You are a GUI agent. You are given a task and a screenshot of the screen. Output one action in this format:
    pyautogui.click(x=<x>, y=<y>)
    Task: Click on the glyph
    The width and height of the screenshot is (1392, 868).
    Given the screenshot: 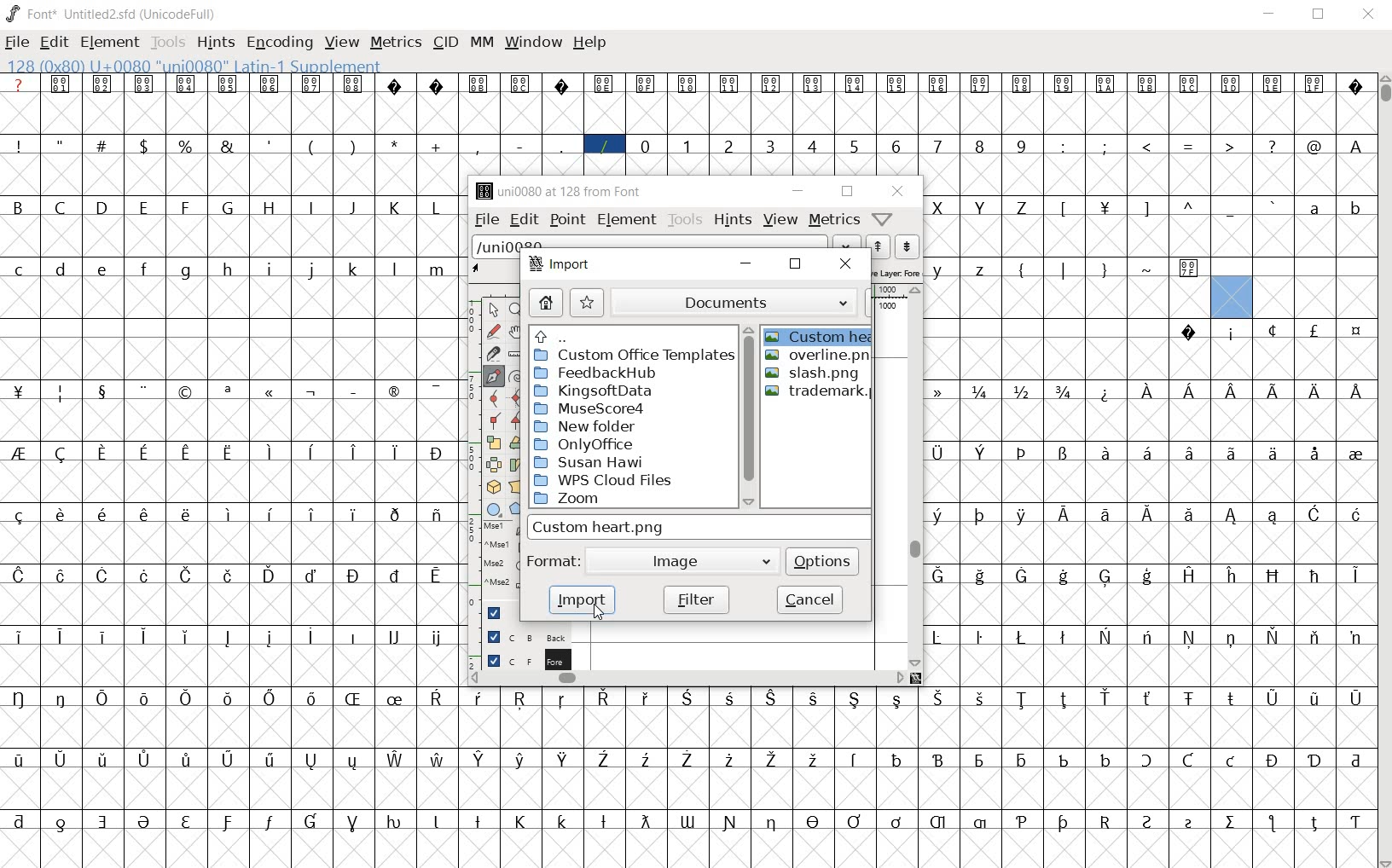 What is the action you would take?
    pyautogui.click(x=815, y=699)
    